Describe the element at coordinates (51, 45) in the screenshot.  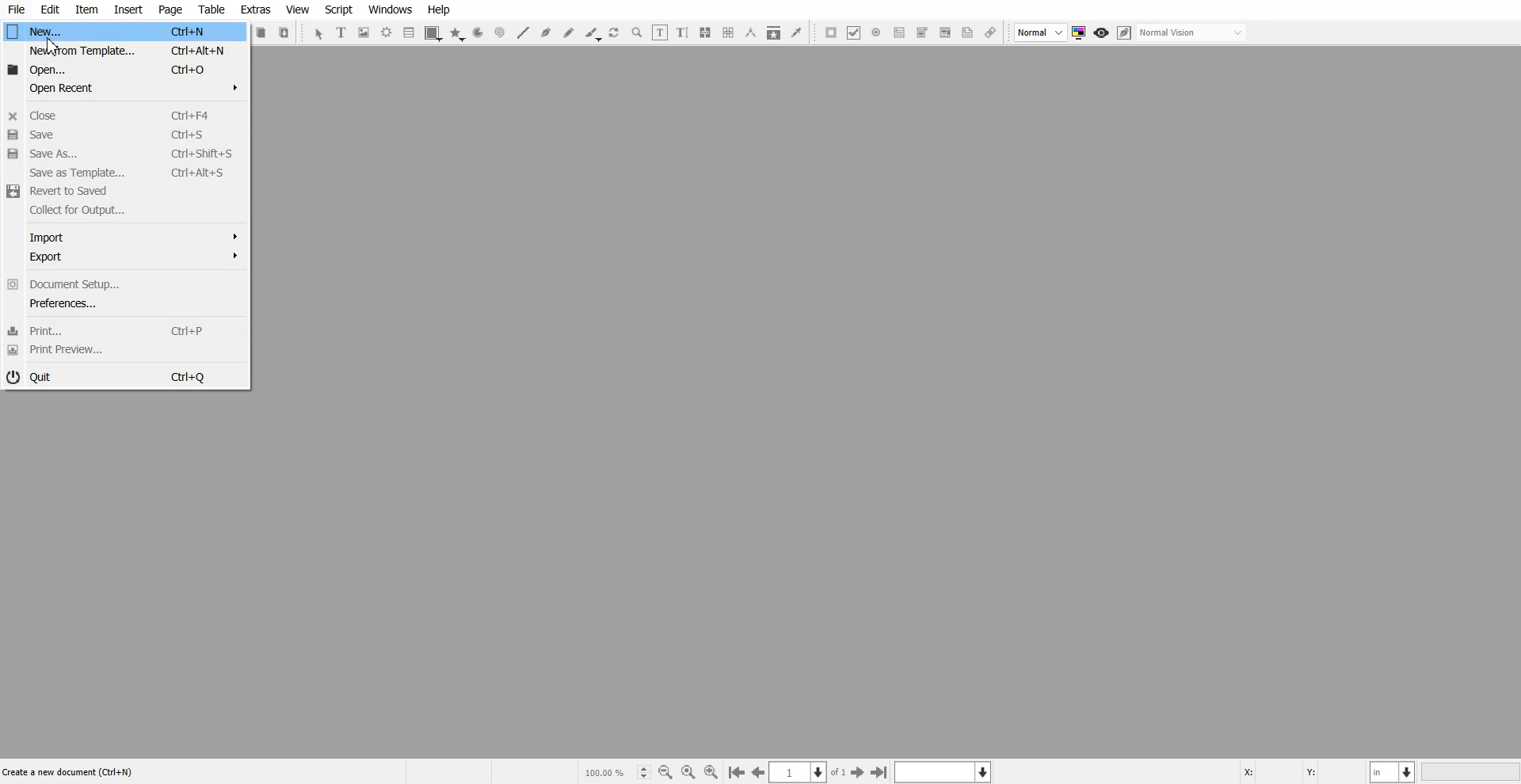
I see `Cursor` at that location.